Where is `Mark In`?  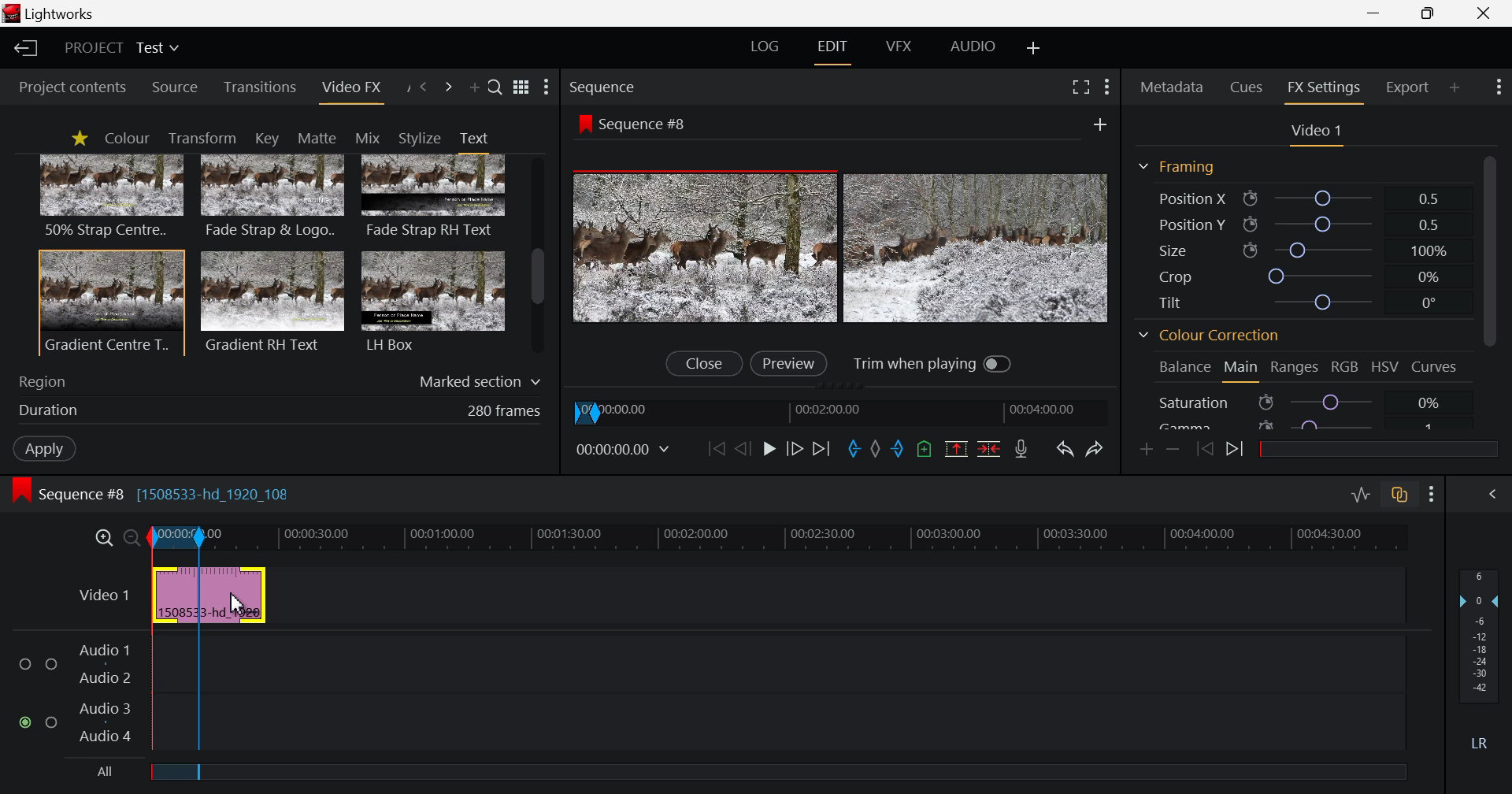
Mark In is located at coordinates (851, 447).